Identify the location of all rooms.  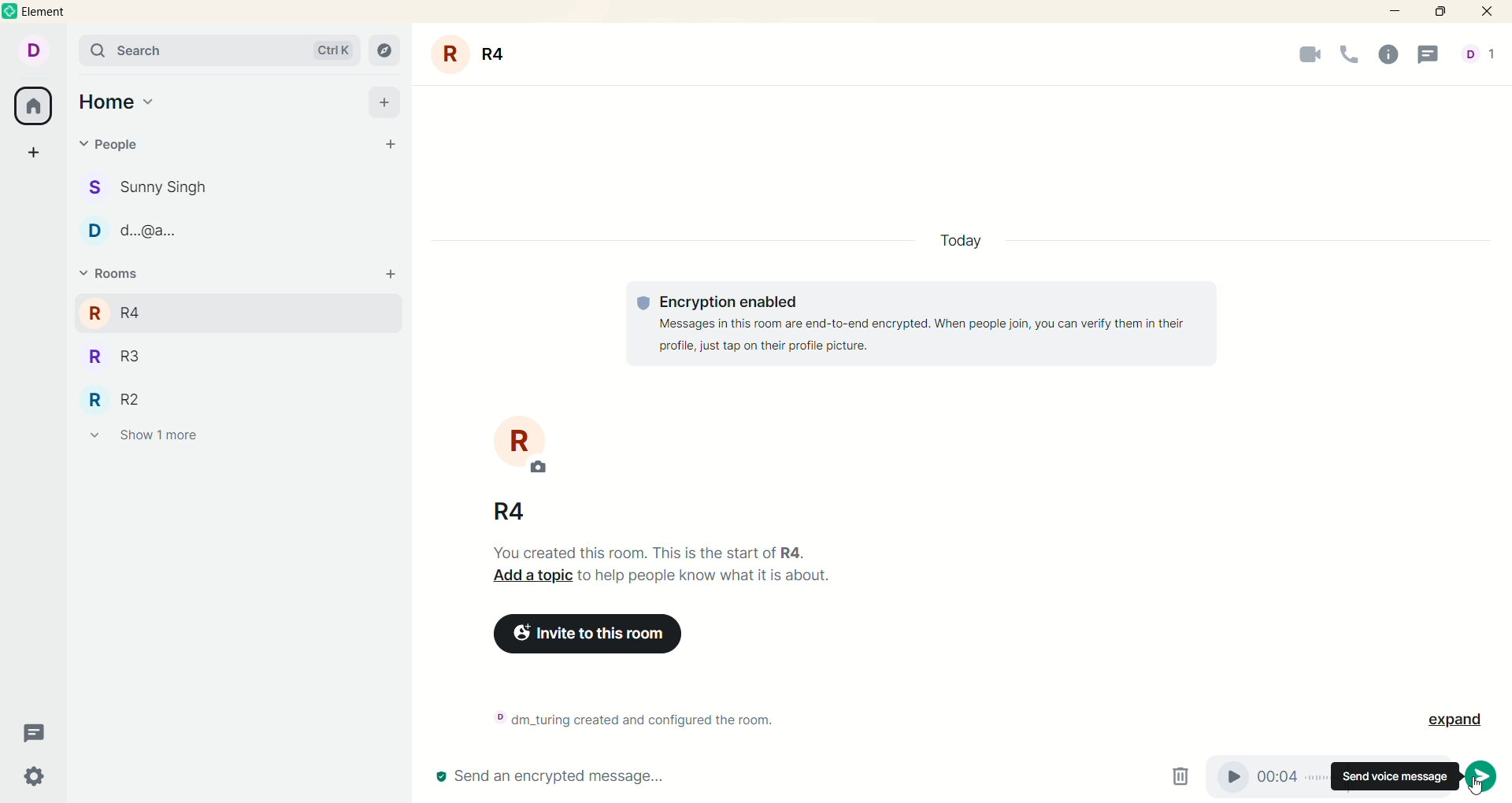
(34, 108).